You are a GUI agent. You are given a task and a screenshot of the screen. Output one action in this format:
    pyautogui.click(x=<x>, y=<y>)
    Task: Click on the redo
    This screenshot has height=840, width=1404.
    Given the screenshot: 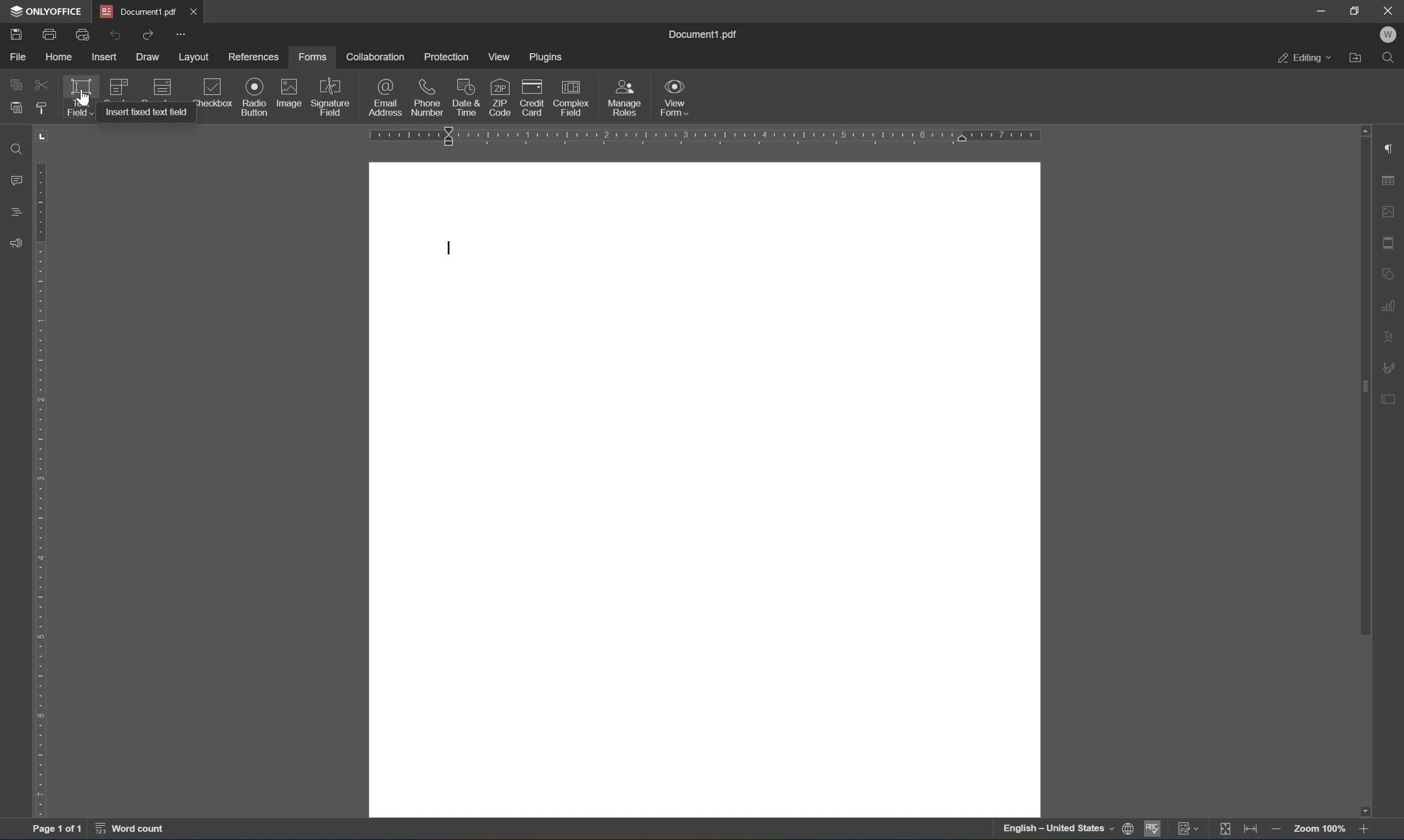 What is the action you would take?
    pyautogui.click(x=148, y=33)
    